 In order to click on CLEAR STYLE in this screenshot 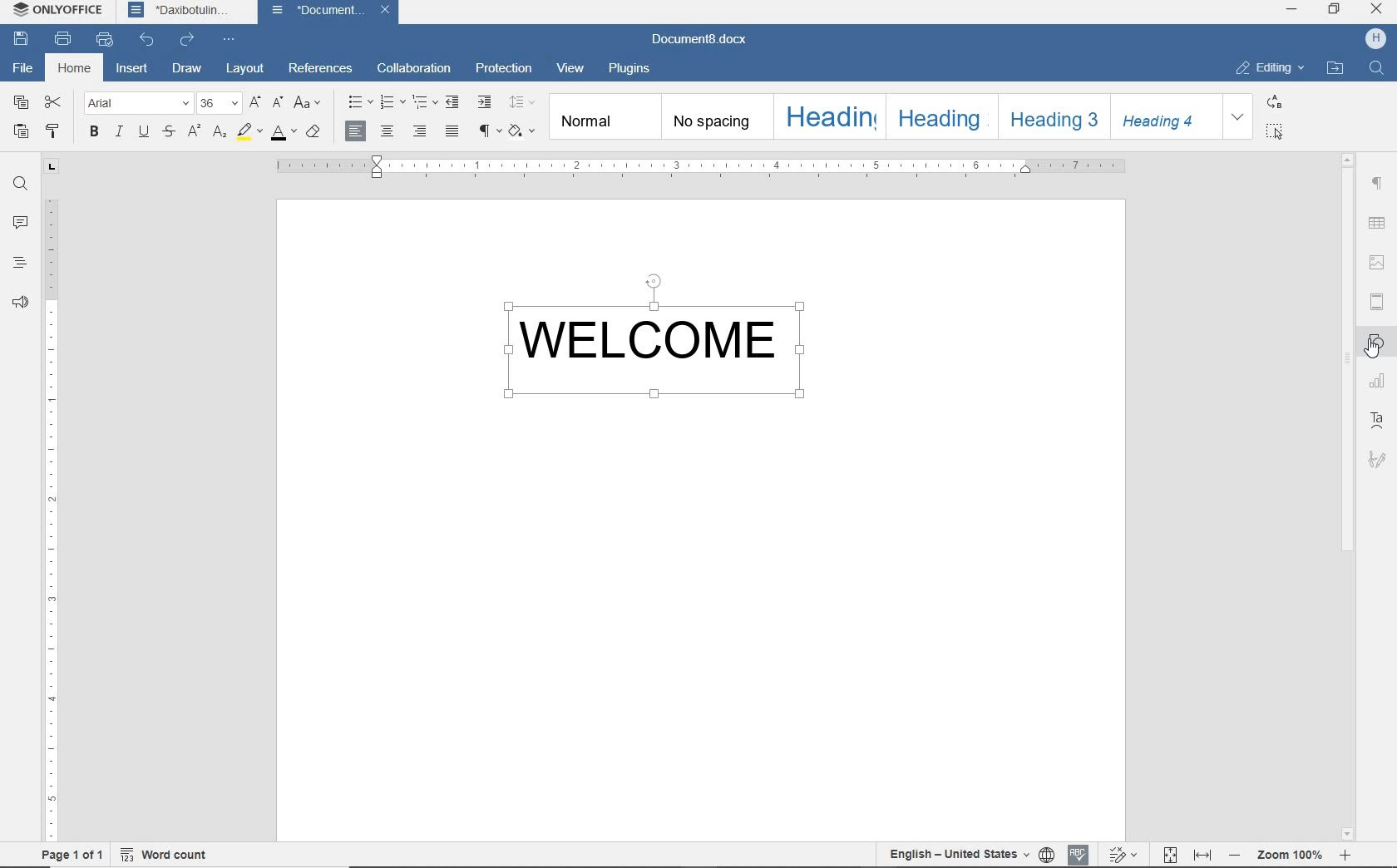, I will do `click(313, 132)`.